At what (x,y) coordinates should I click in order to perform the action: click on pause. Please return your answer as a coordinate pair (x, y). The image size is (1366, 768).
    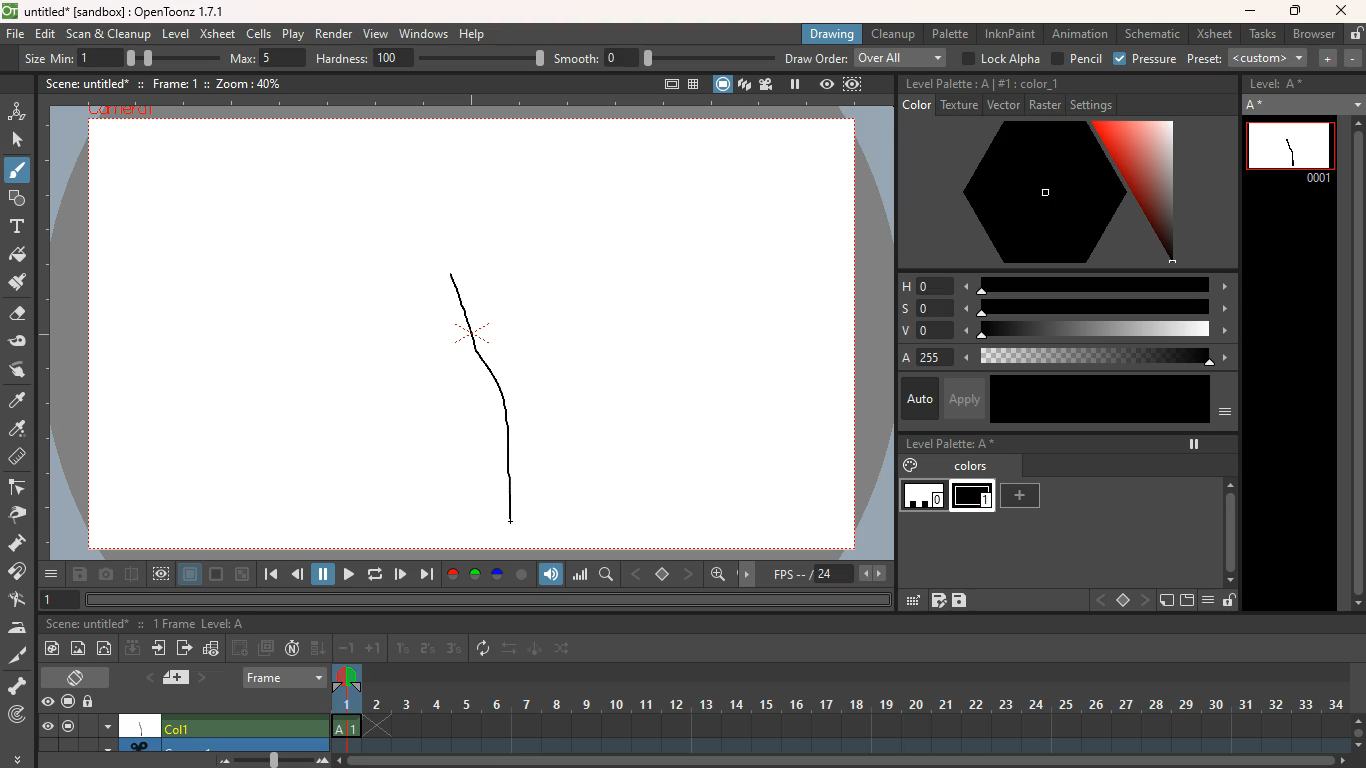
    Looking at the image, I should click on (1192, 444).